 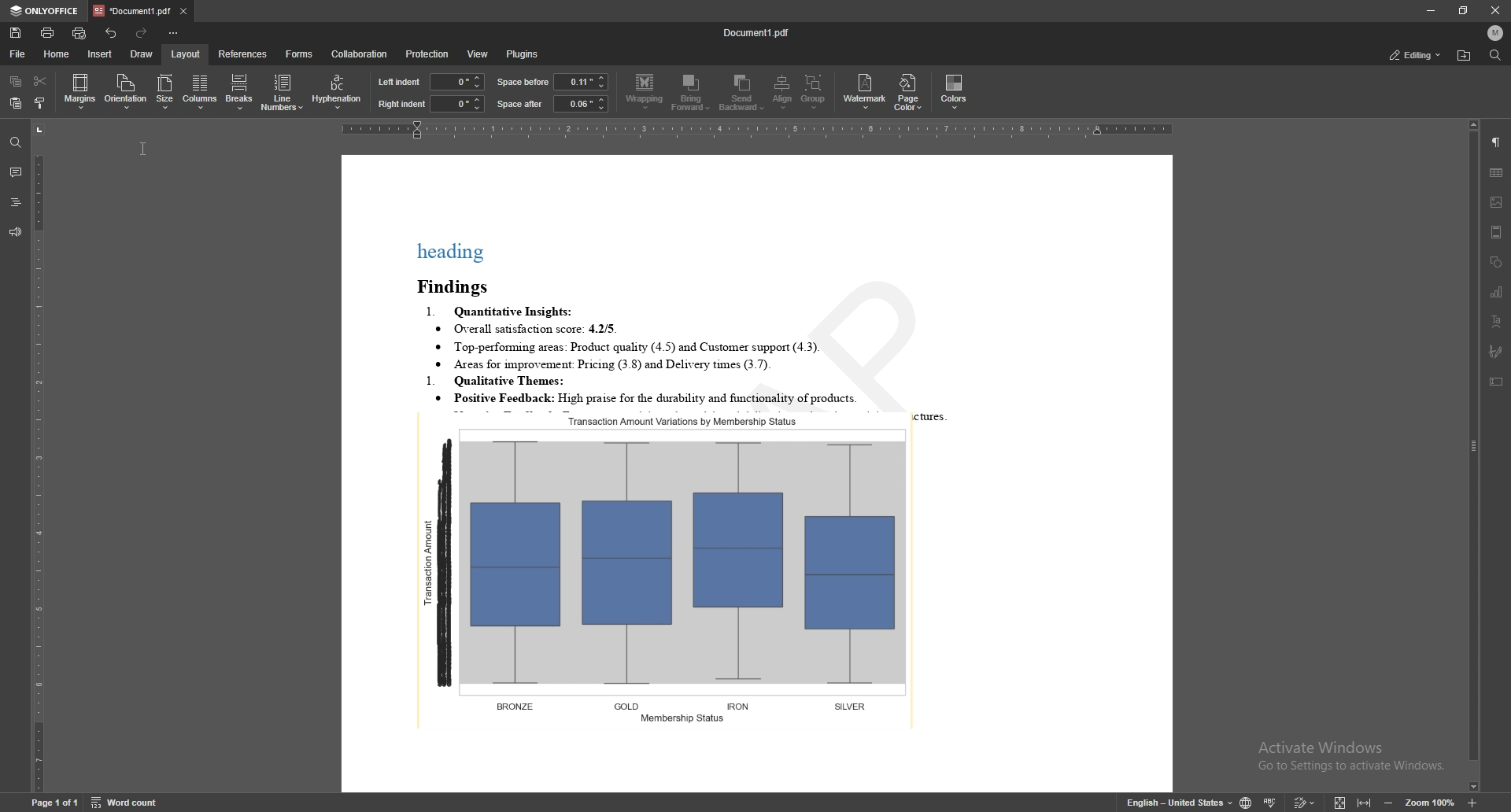 What do you see at coordinates (299, 54) in the screenshot?
I see `forms` at bounding box center [299, 54].